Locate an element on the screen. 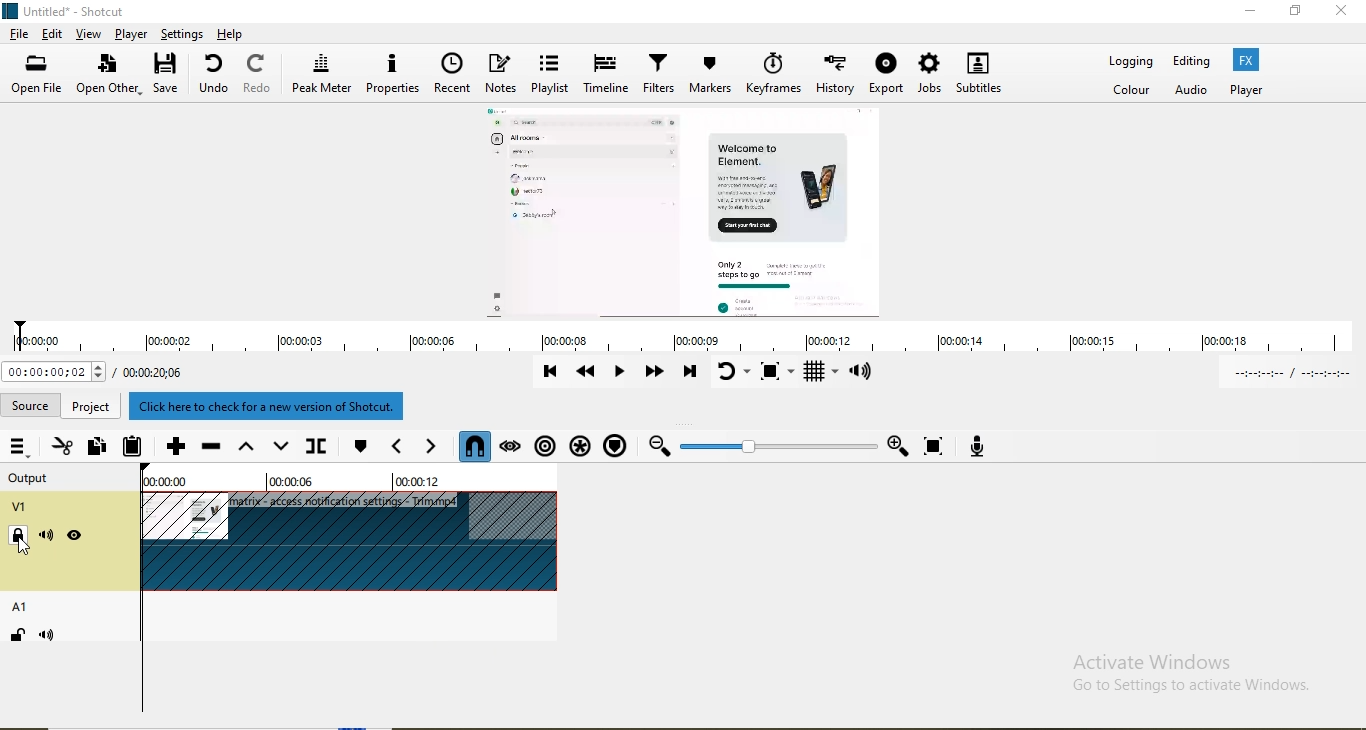 This screenshot has width=1366, height=730. Redo is located at coordinates (259, 75).